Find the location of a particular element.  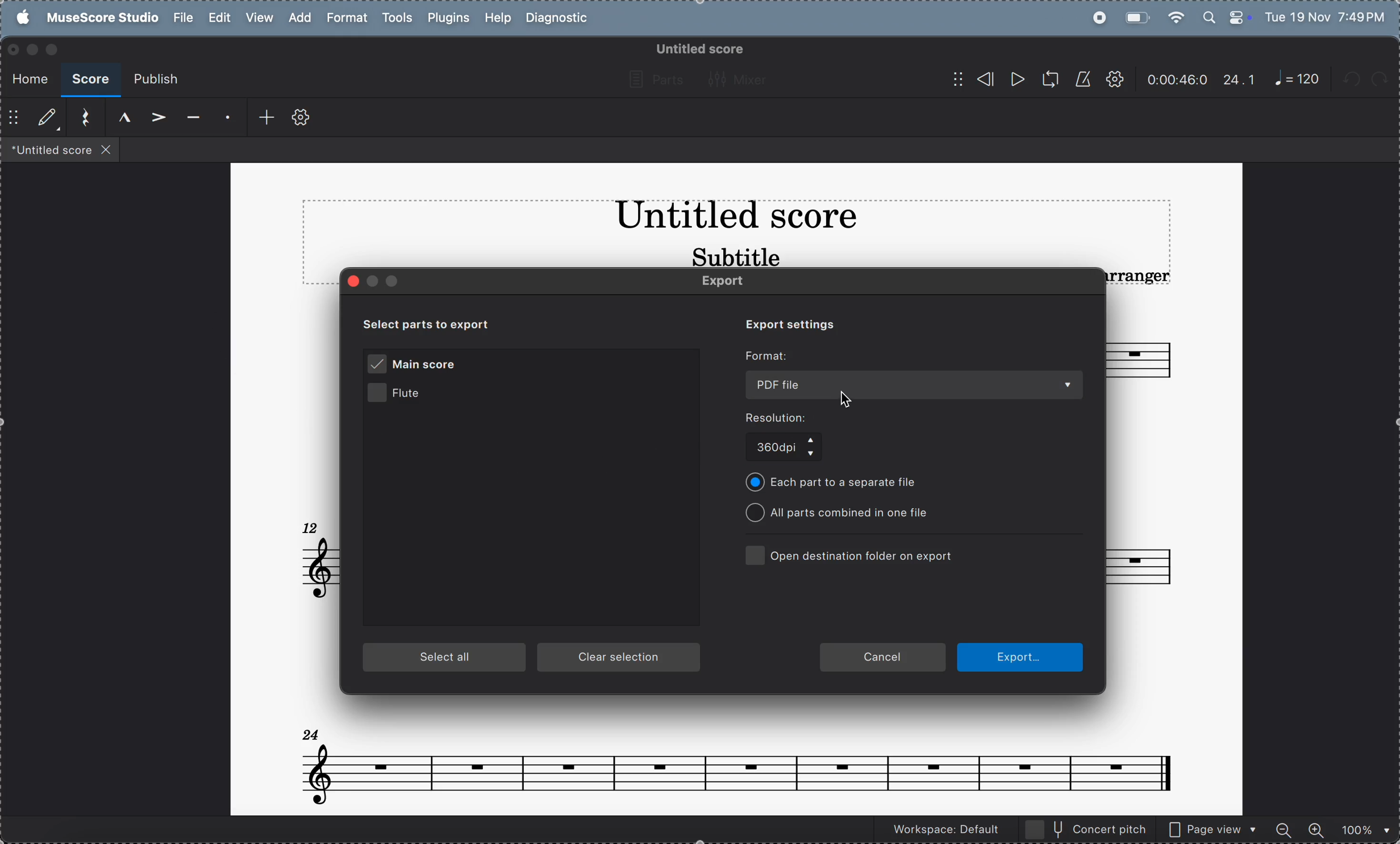

plugins is located at coordinates (445, 19).